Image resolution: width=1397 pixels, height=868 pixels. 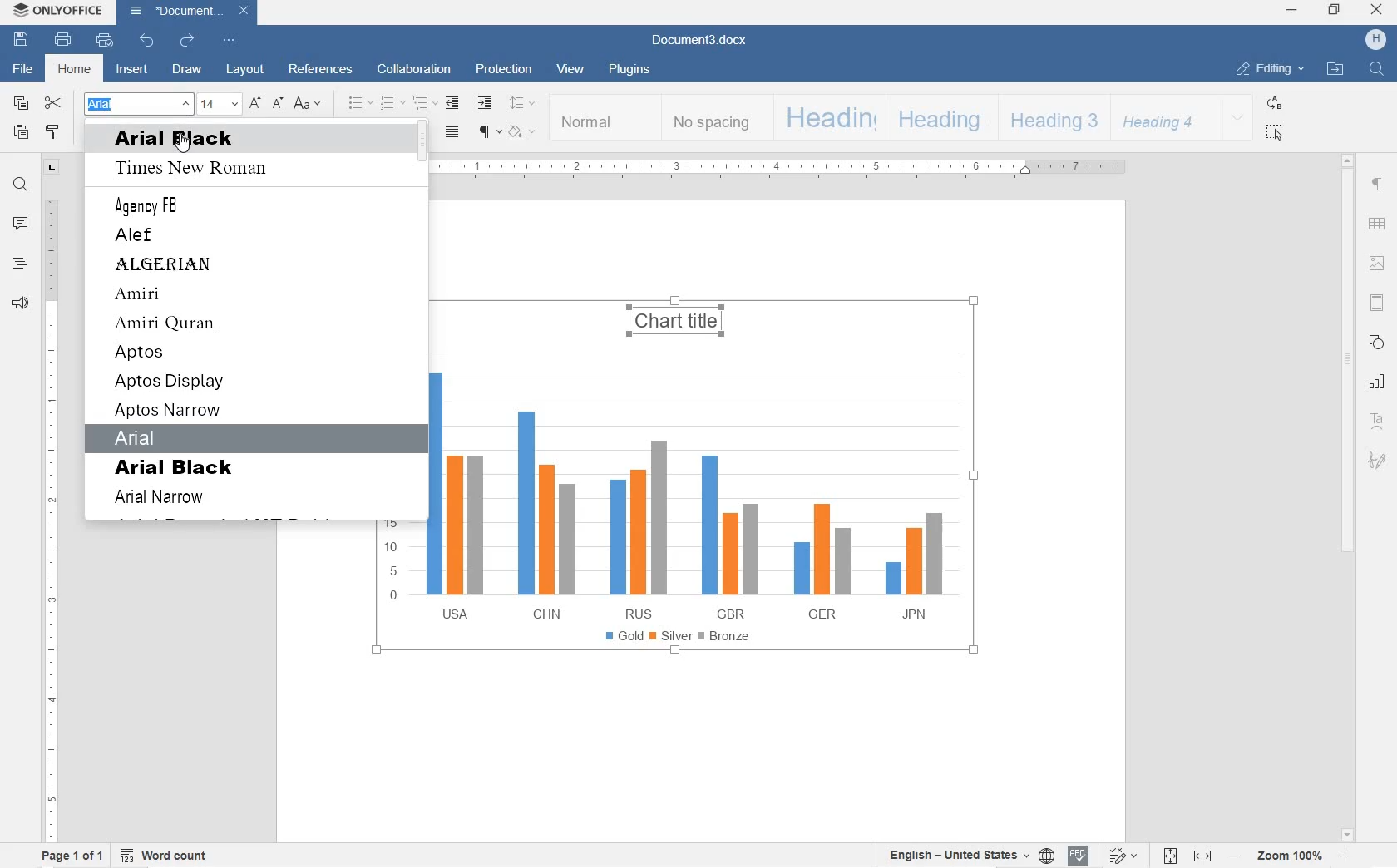 What do you see at coordinates (55, 103) in the screenshot?
I see `CUT` at bounding box center [55, 103].